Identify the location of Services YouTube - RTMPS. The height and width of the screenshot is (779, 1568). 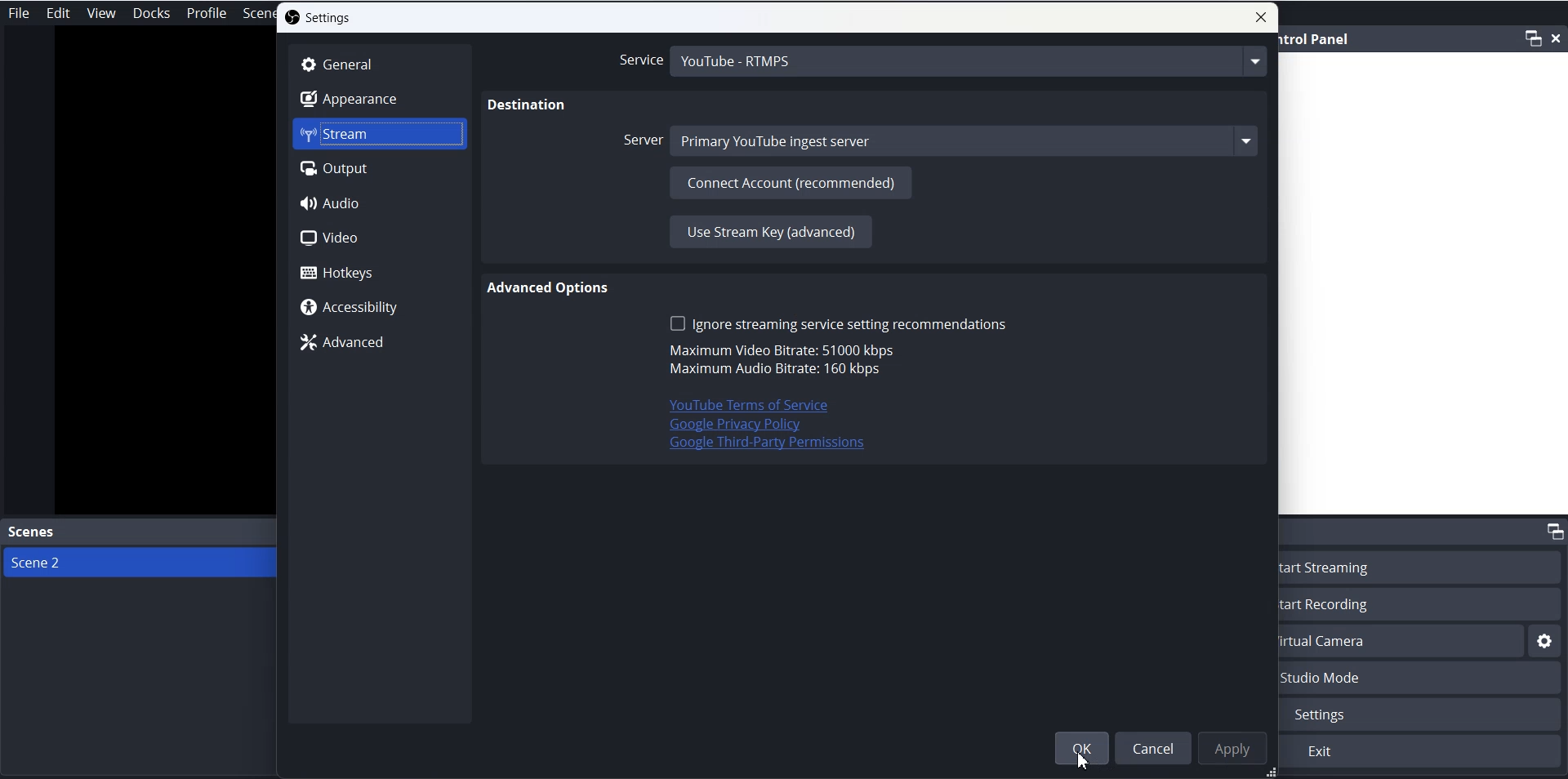
(941, 62).